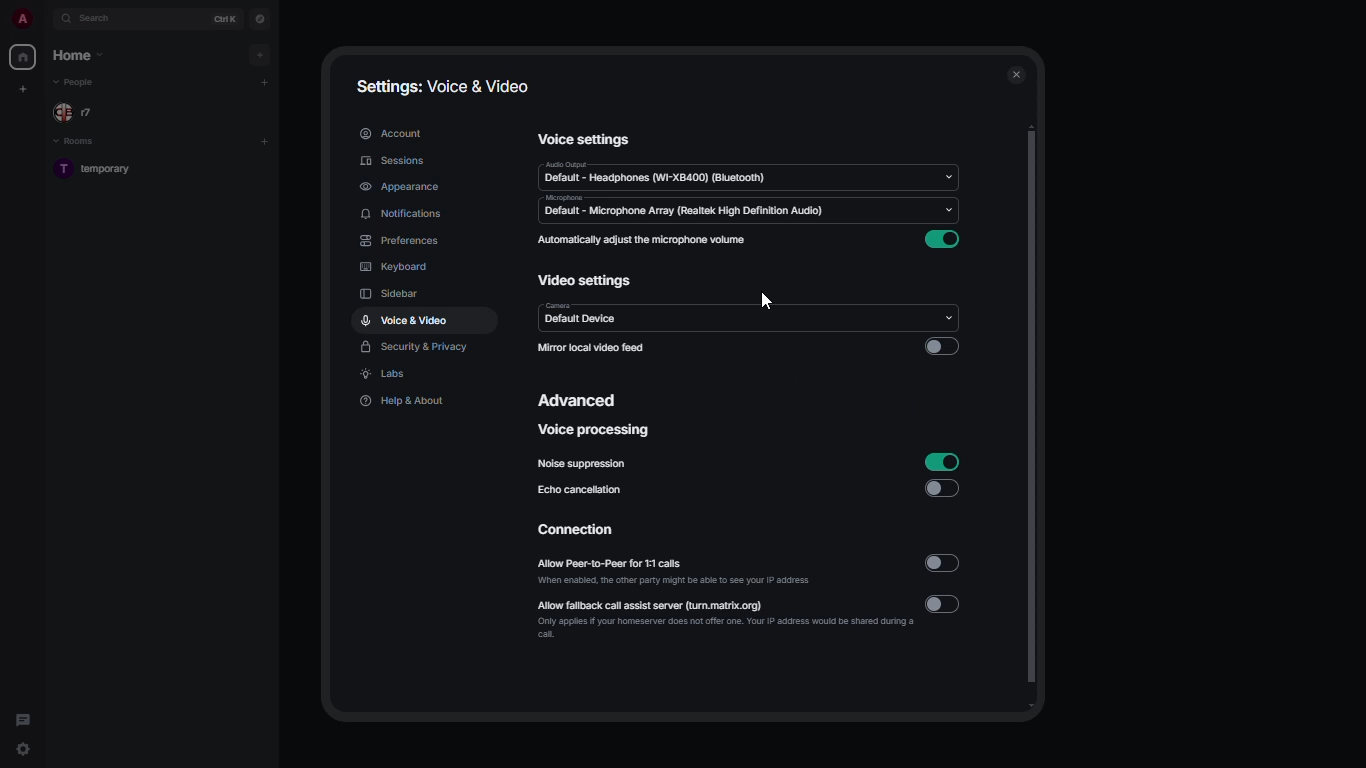  Describe the element at coordinates (950, 314) in the screenshot. I see `drop down` at that location.